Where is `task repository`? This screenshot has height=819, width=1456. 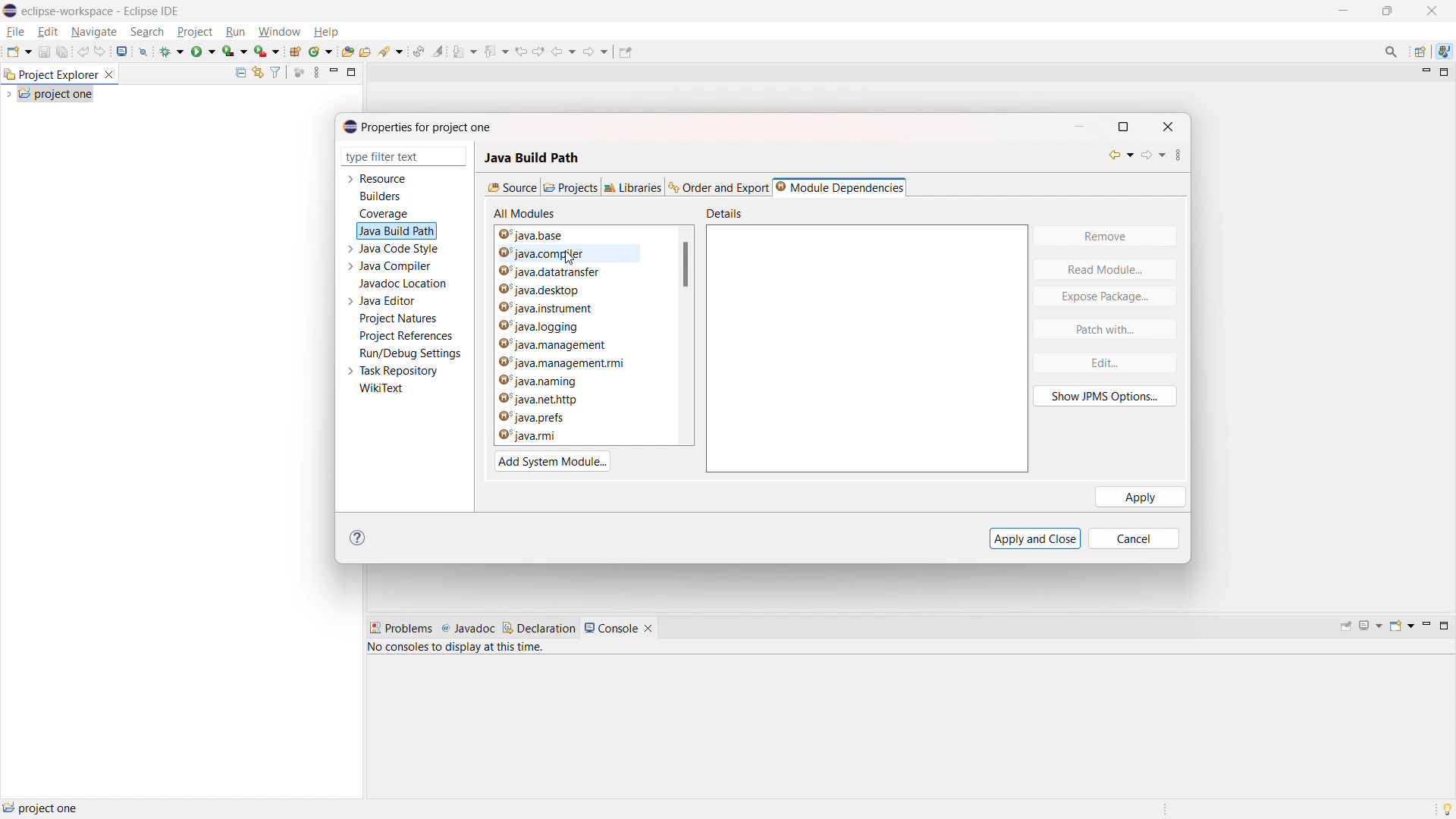
task repository is located at coordinates (400, 371).